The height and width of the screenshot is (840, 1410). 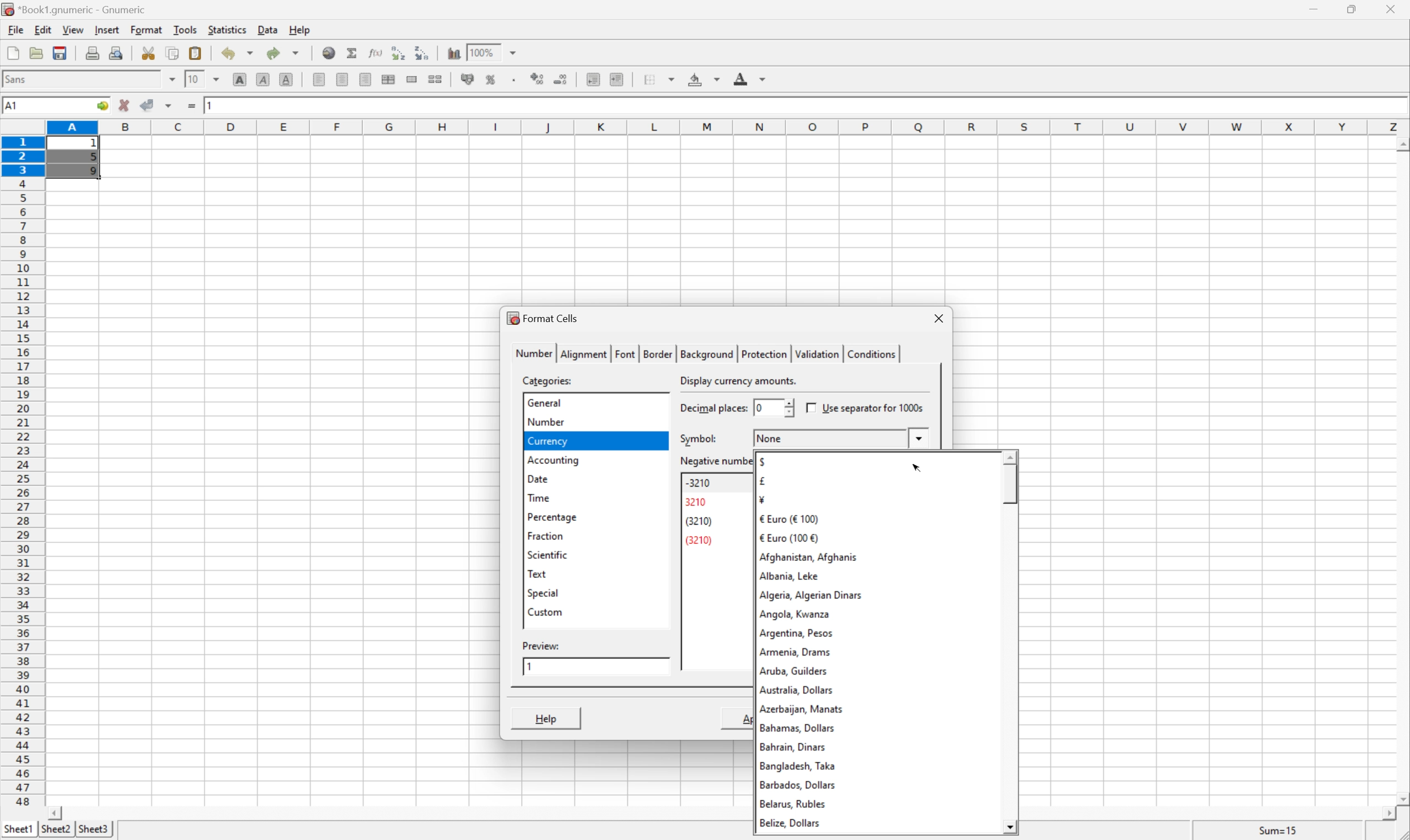 What do you see at coordinates (756, 408) in the screenshot?
I see `0` at bounding box center [756, 408].